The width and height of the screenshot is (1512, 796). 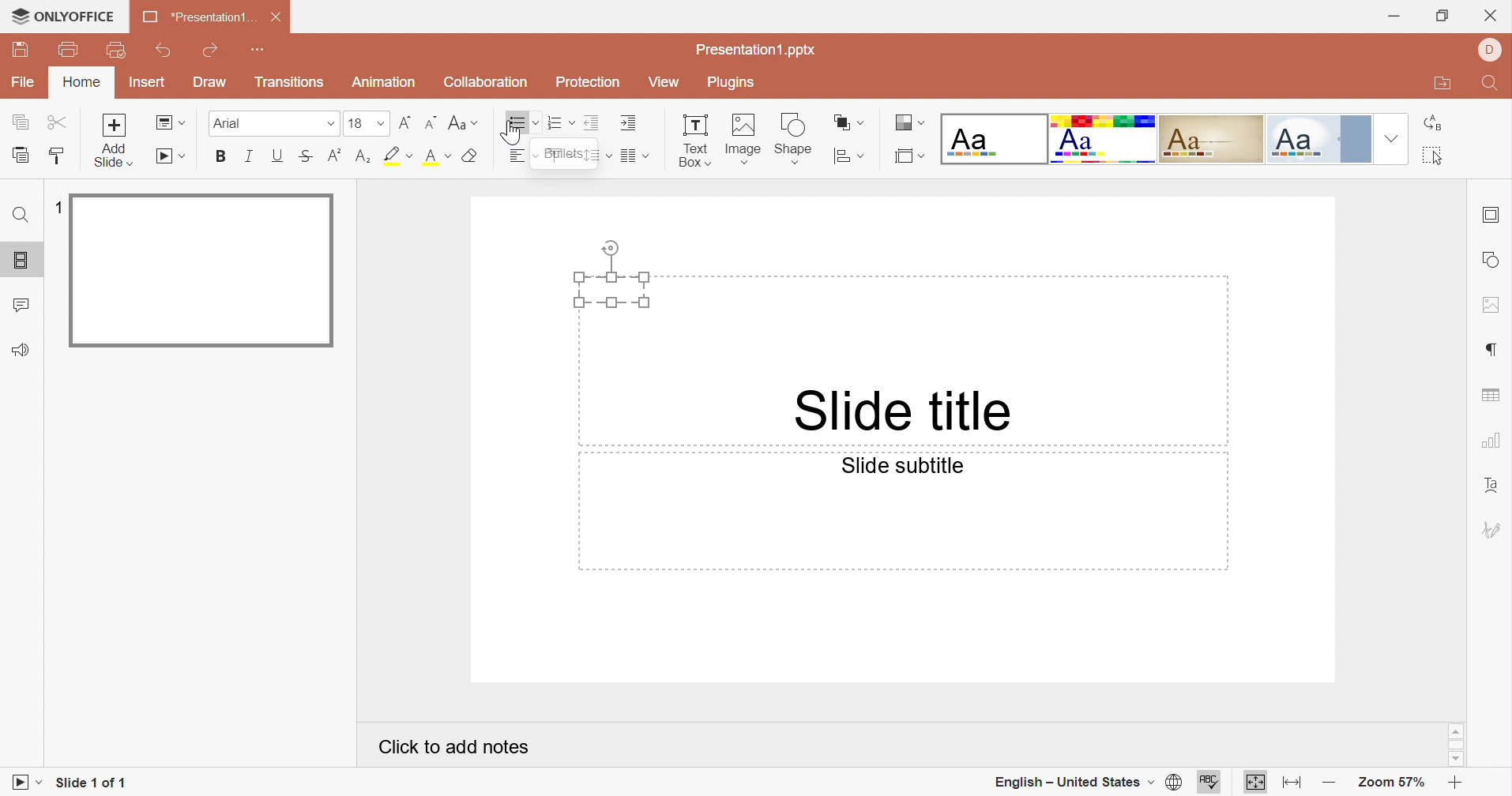 I want to click on set document language, so click(x=1171, y=783).